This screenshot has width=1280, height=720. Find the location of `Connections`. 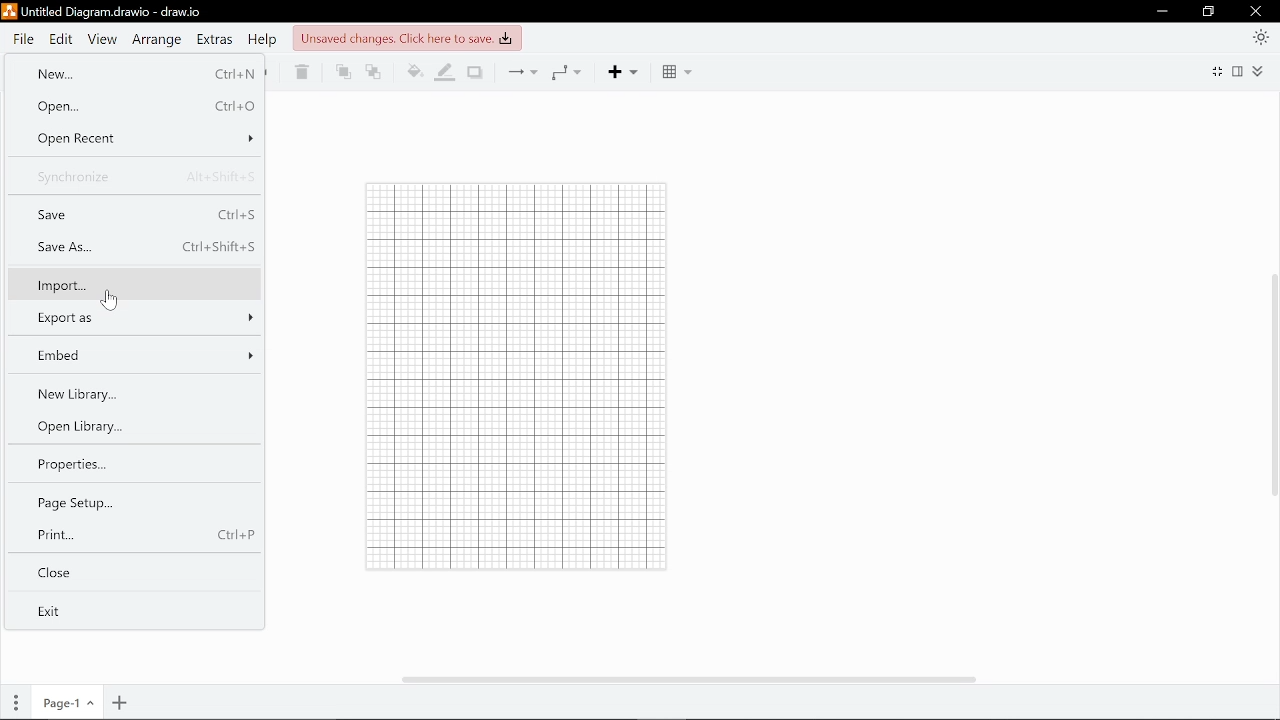

Connections is located at coordinates (525, 71).